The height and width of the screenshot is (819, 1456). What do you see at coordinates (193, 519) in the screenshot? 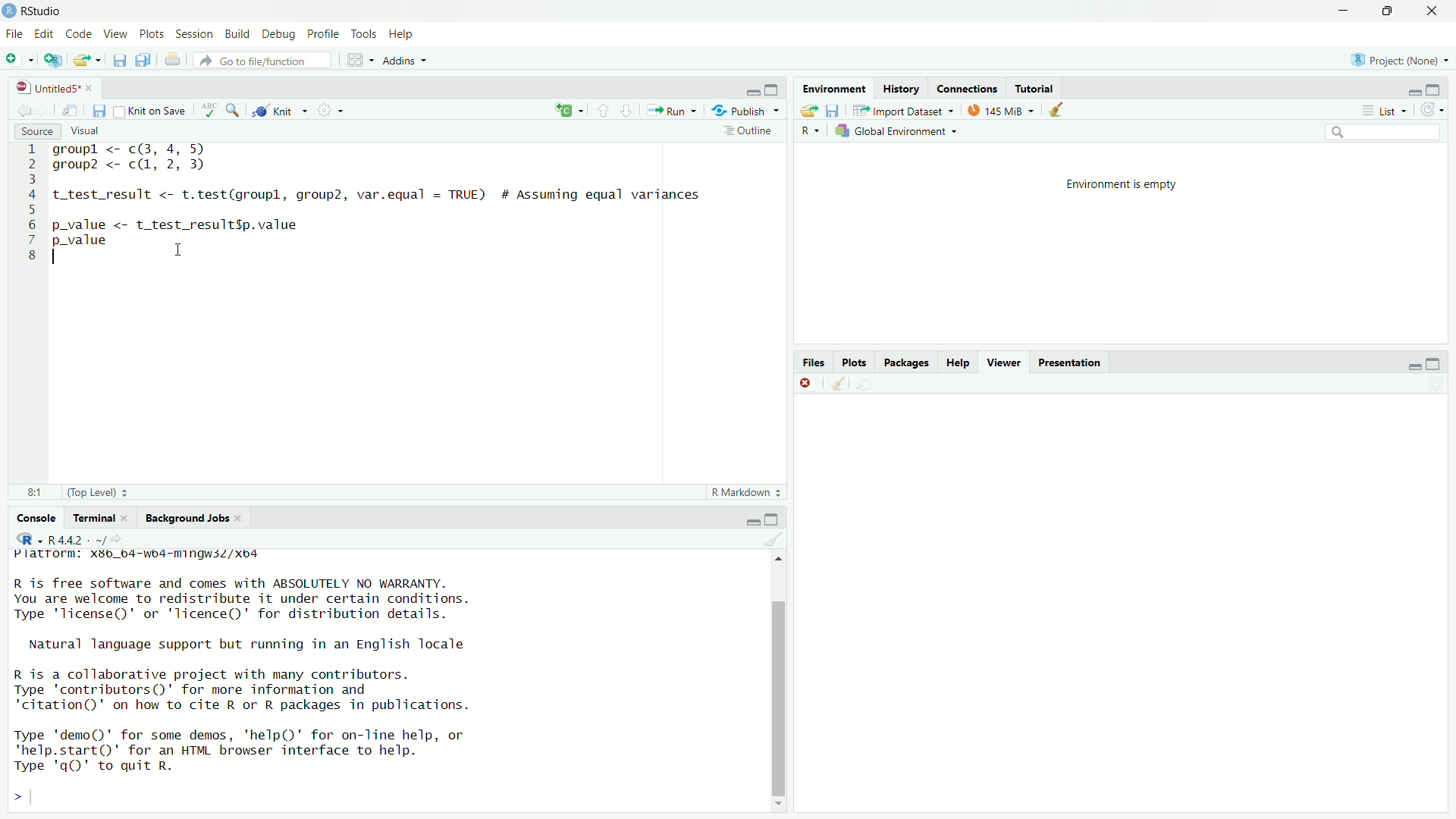
I see `Background Jobs` at bounding box center [193, 519].